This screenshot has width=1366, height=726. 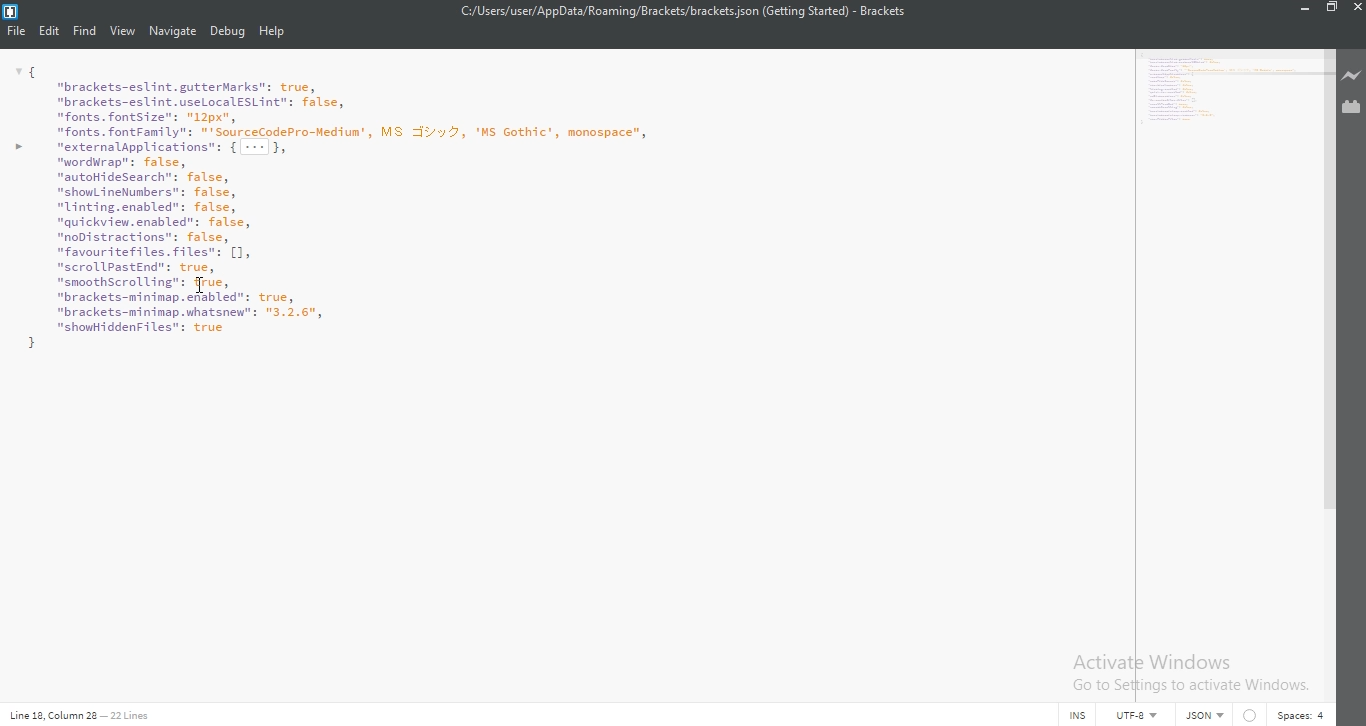 I want to click on File, so click(x=14, y=32).